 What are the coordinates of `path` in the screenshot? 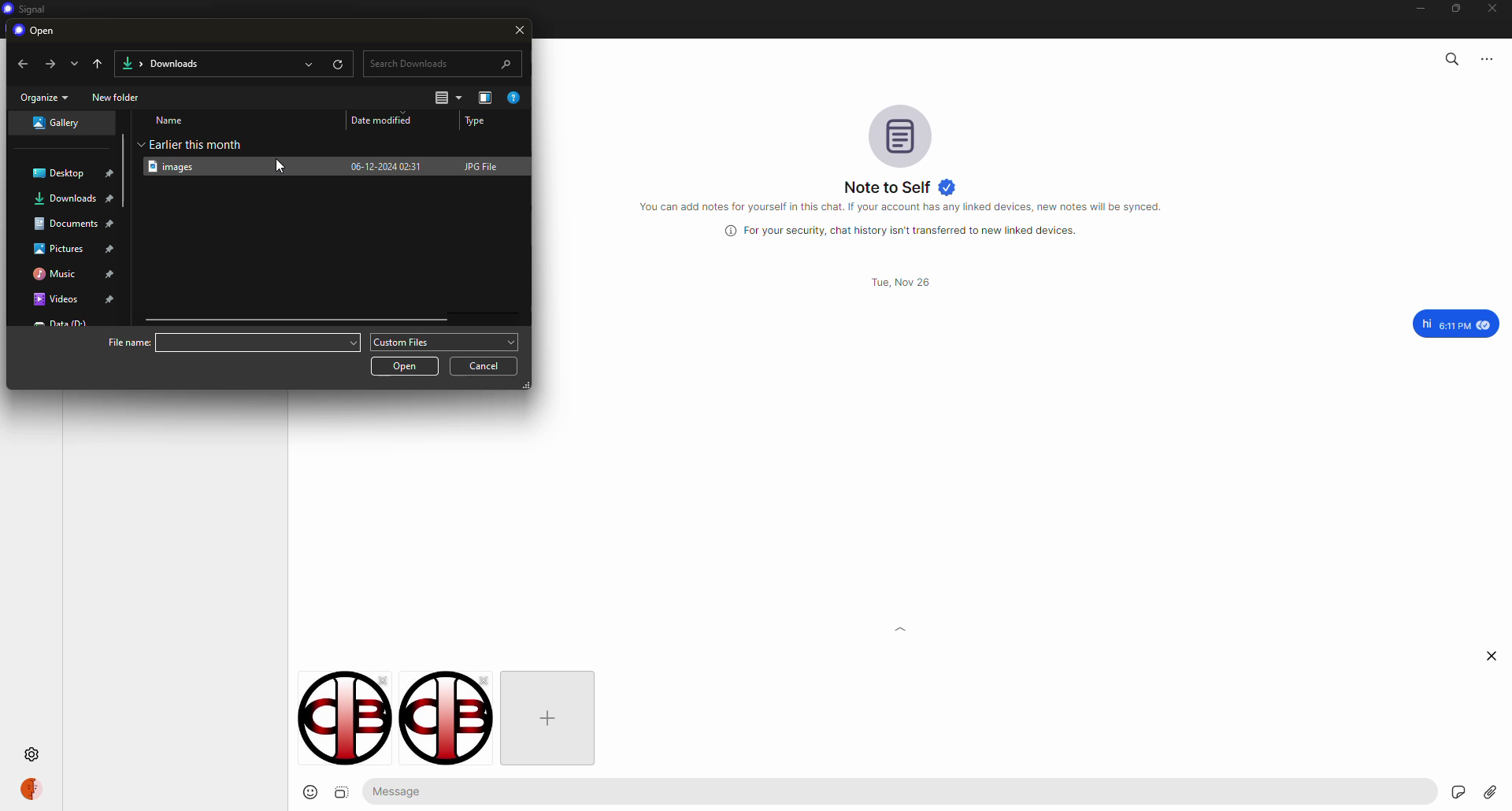 It's located at (171, 62).